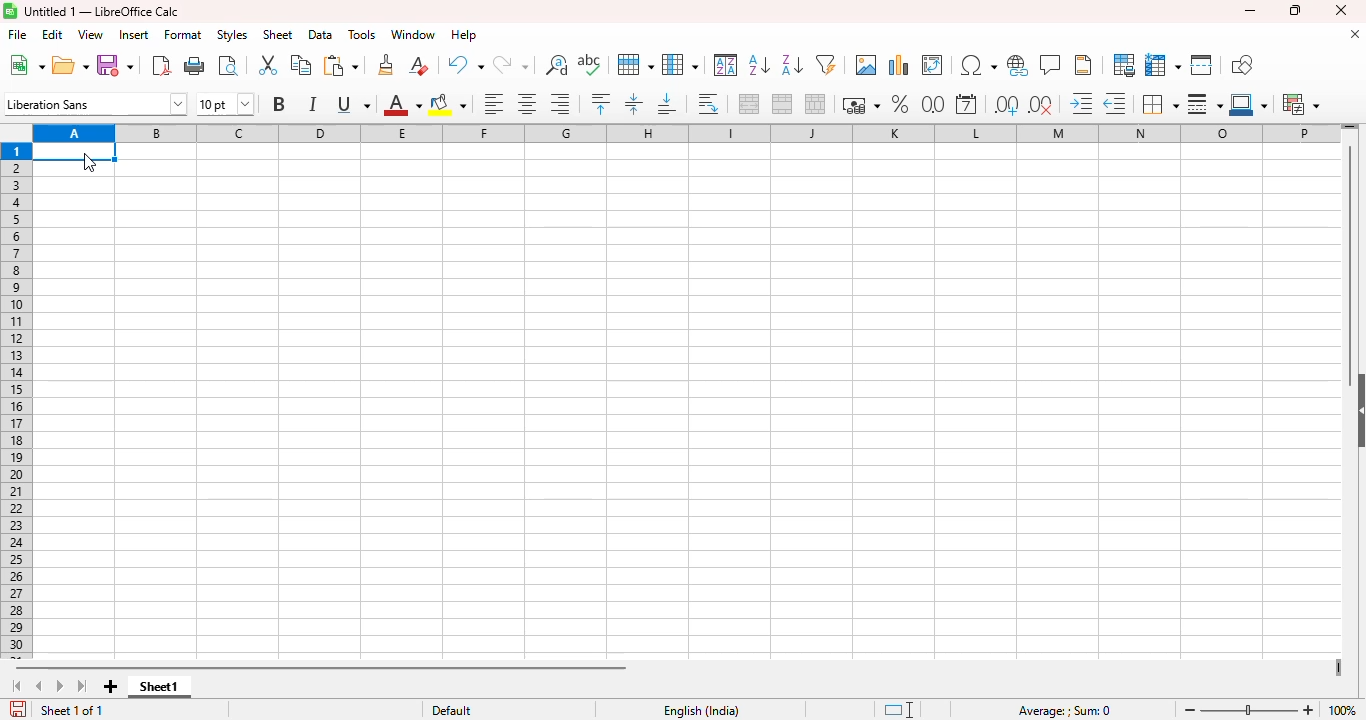 Image resolution: width=1366 pixels, height=720 pixels. What do you see at coordinates (589, 64) in the screenshot?
I see `spelling` at bounding box center [589, 64].